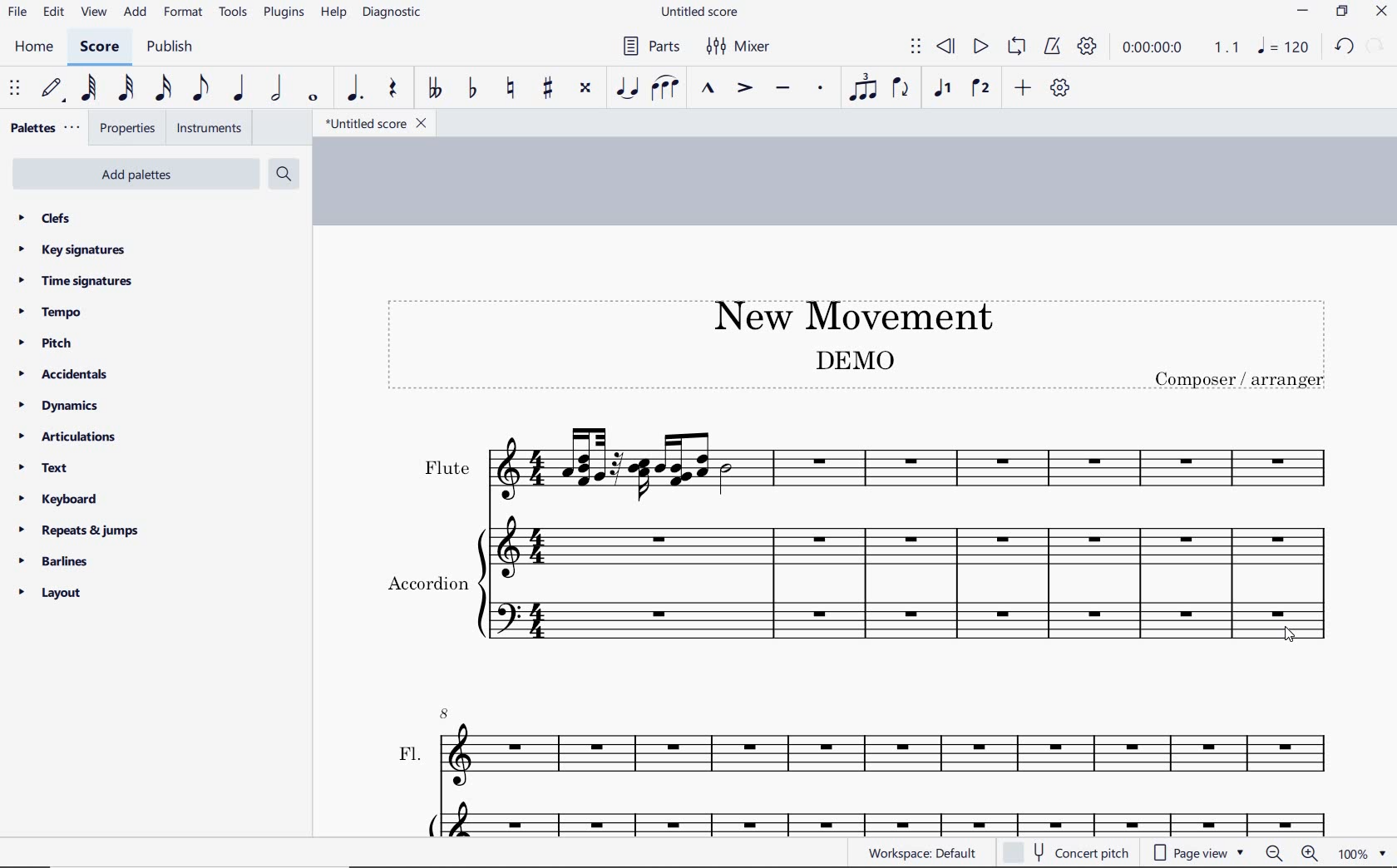 Image resolution: width=1397 pixels, height=868 pixels. I want to click on Instrument: Accordion, so click(912, 584).